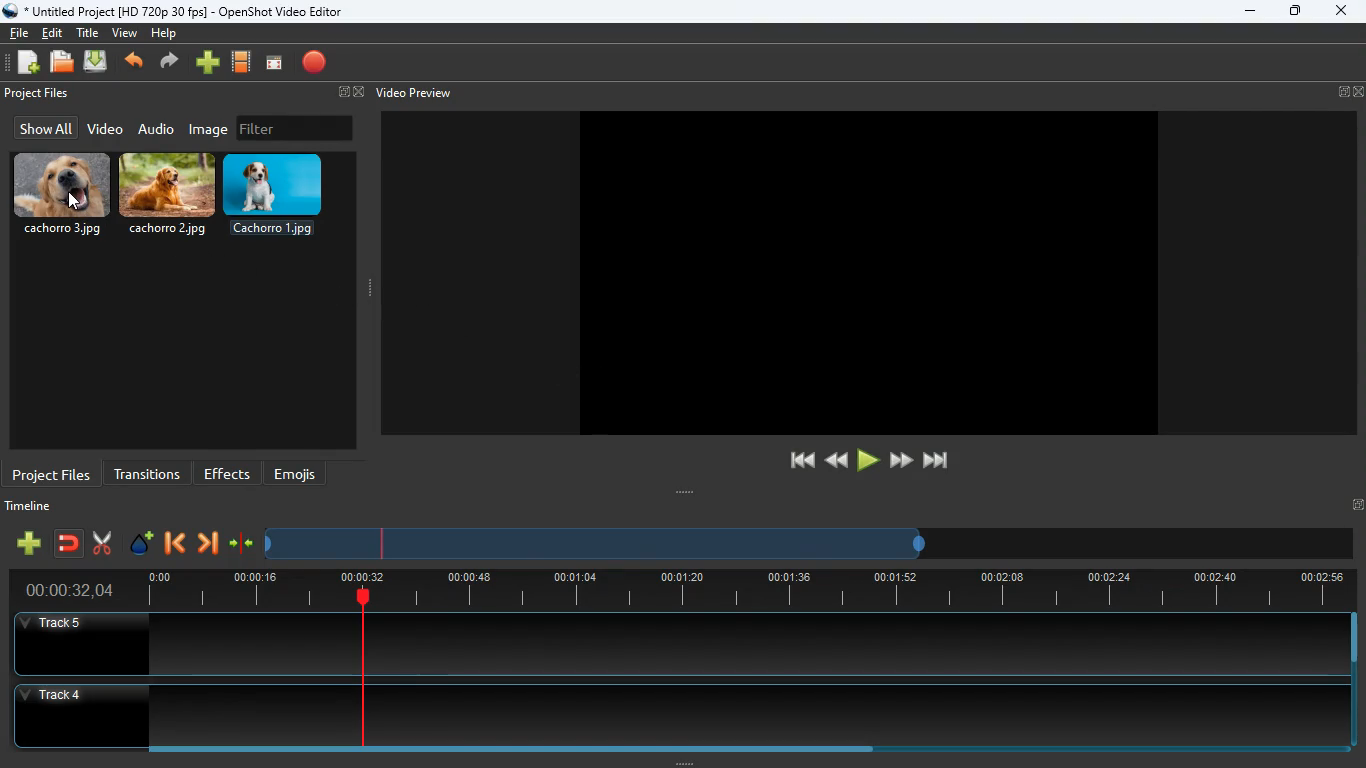 The height and width of the screenshot is (768, 1366). Describe the element at coordinates (281, 195) in the screenshot. I see `cachorro.1.jpg` at that location.